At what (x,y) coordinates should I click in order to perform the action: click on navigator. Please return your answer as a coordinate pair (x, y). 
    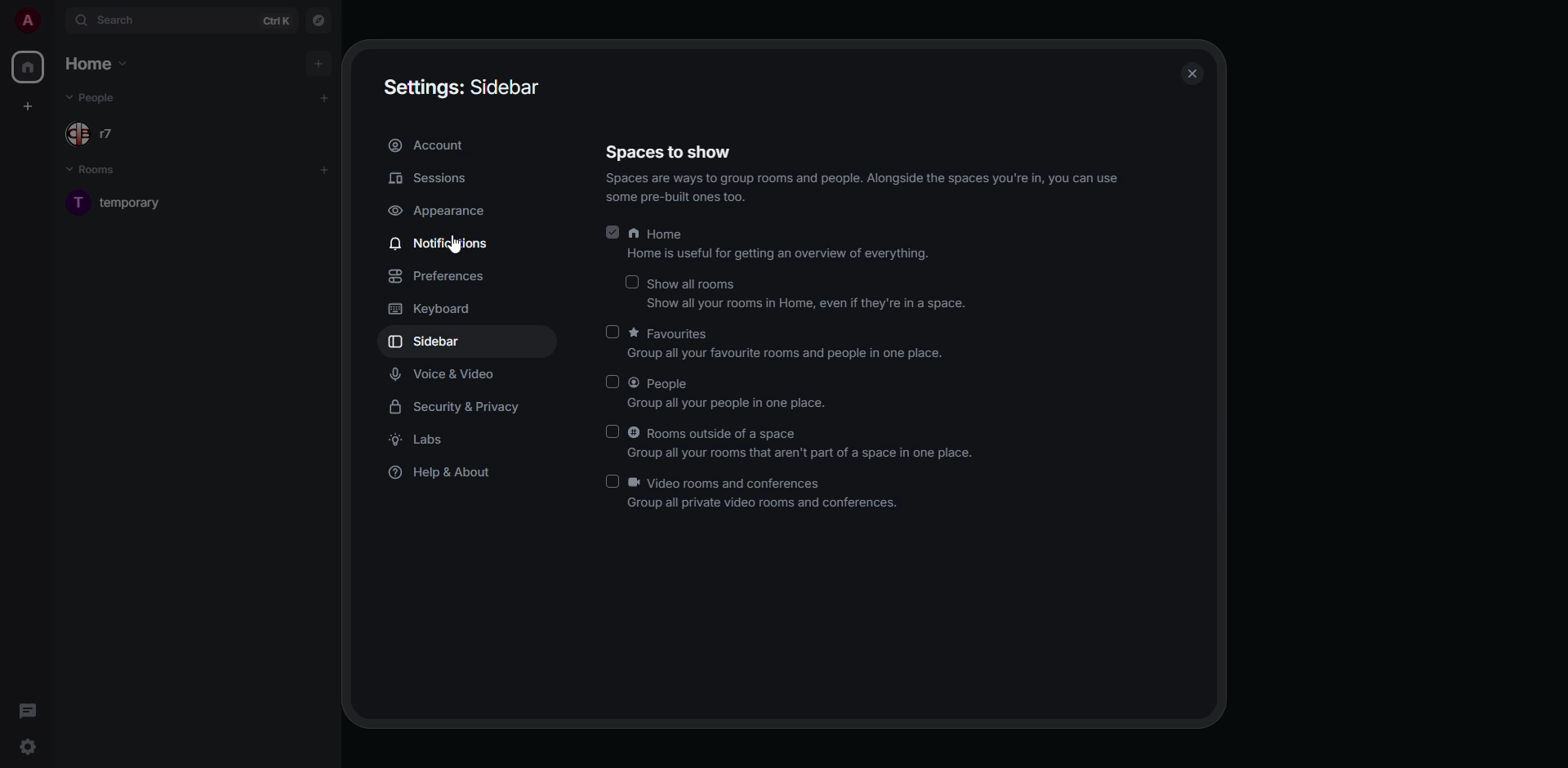
    Looking at the image, I should click on (316, 21).